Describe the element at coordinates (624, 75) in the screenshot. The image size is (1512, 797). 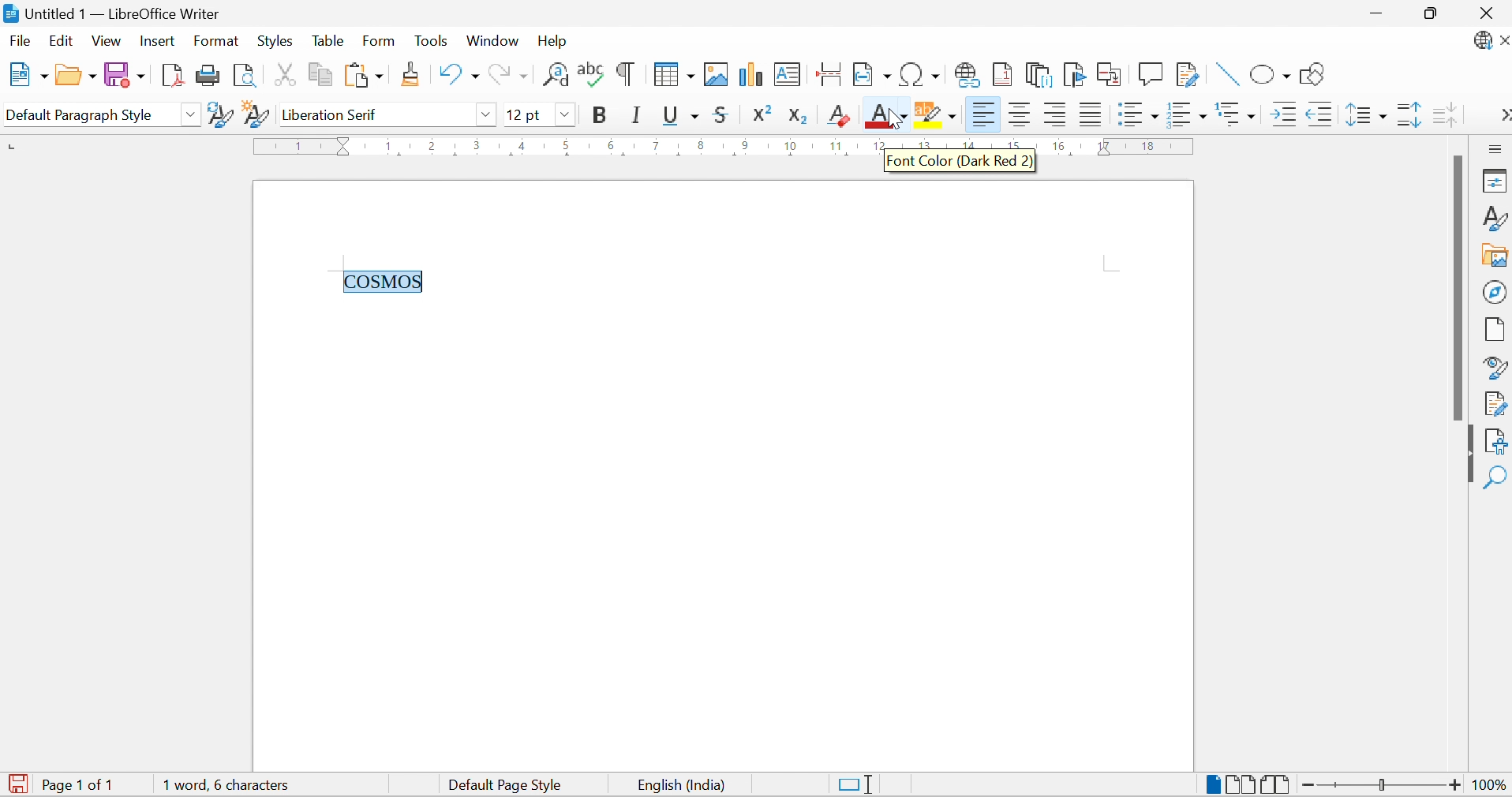
I see `Toggle Formatting Marks` at that location.